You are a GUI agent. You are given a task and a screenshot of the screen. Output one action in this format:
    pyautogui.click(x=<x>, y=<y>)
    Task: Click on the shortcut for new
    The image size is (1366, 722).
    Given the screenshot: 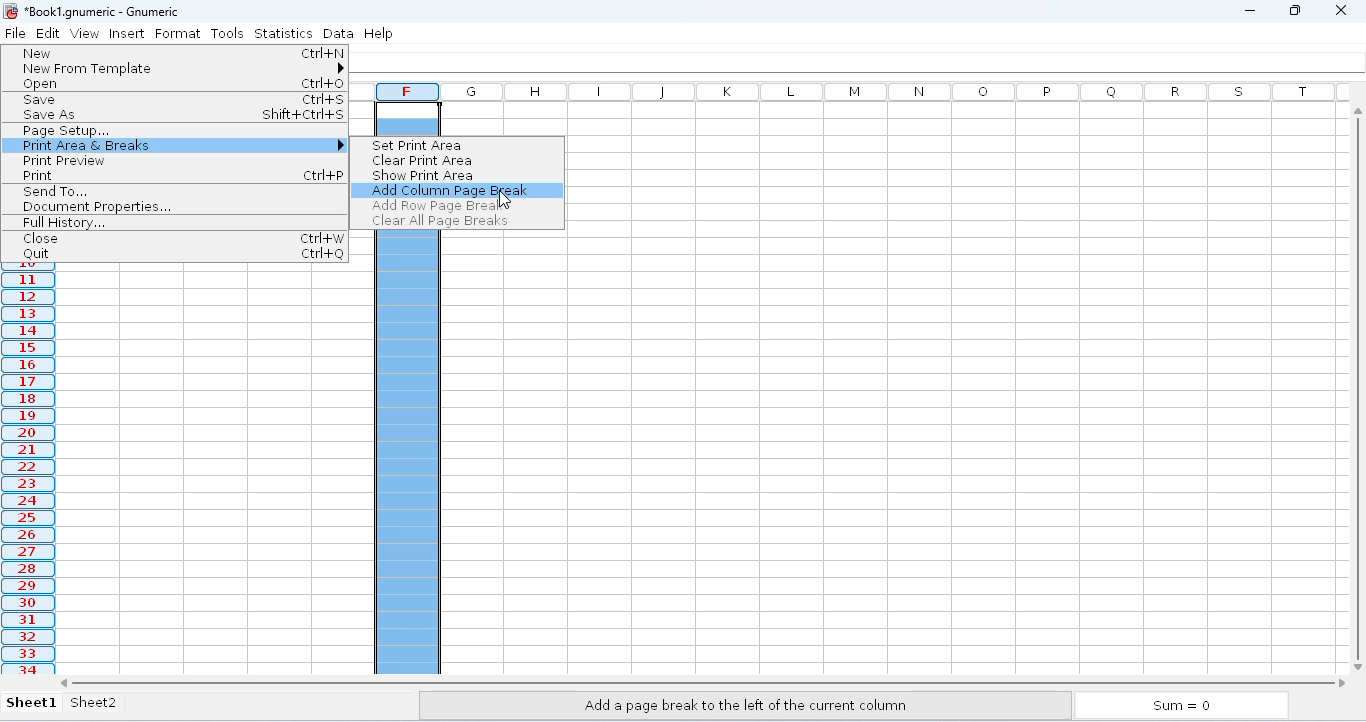 What is the action you would take?
    pyautogui.click(x=323, y=53)
    